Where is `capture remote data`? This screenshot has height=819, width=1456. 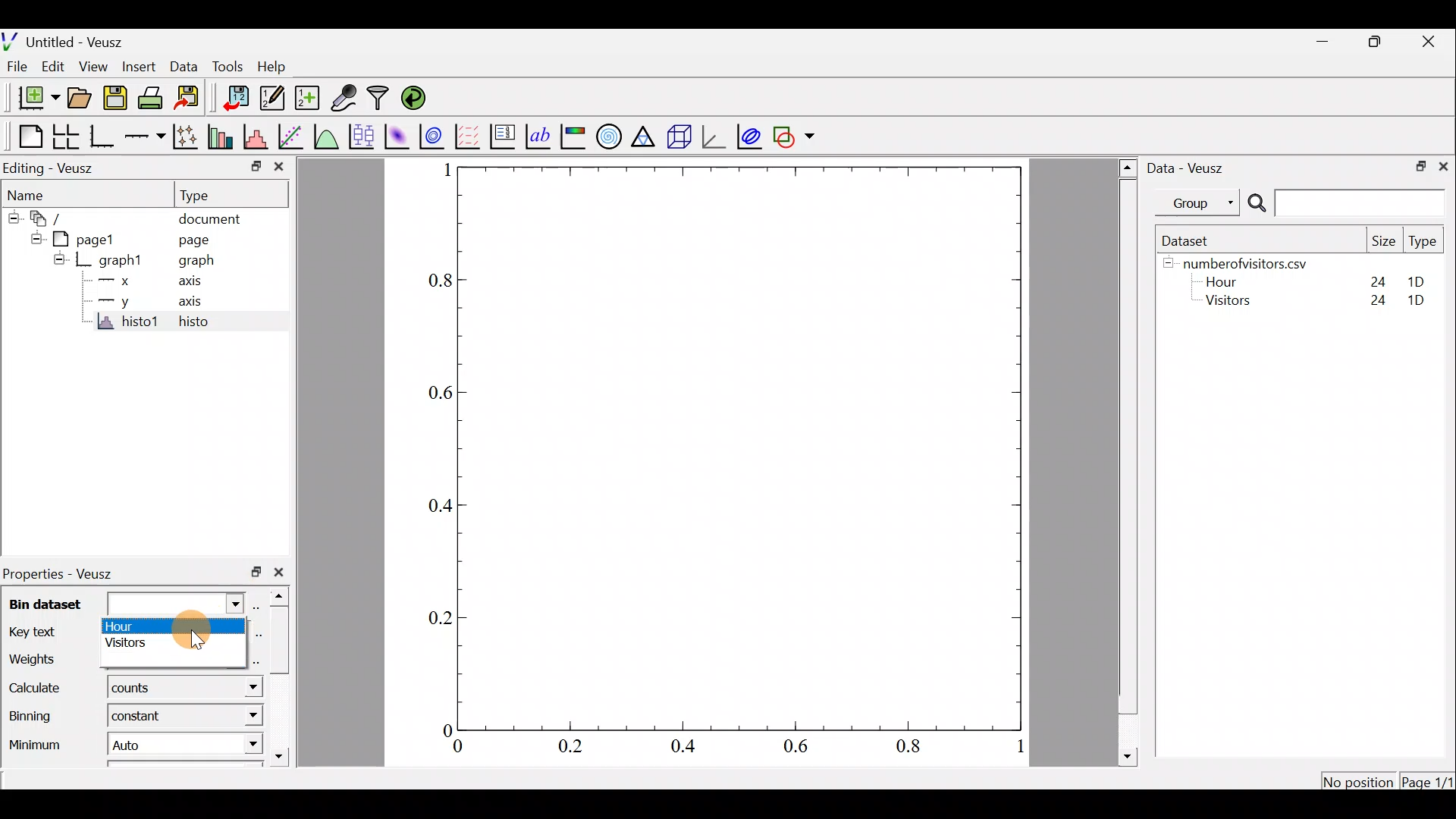 capture remote data is located at coordinates (343, 98).